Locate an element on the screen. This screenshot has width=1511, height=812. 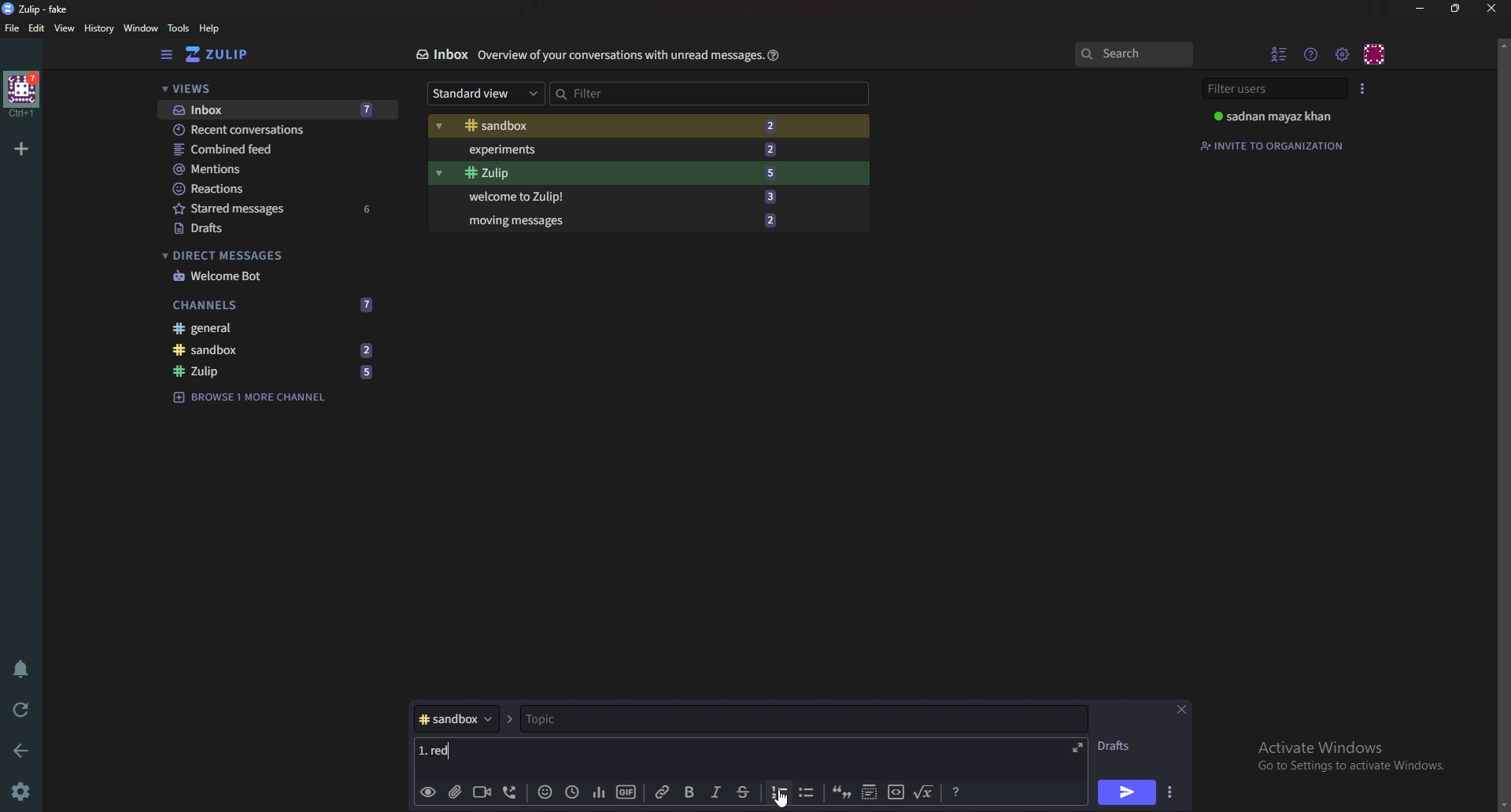
Minimize is located at coordinates (1421, 8).